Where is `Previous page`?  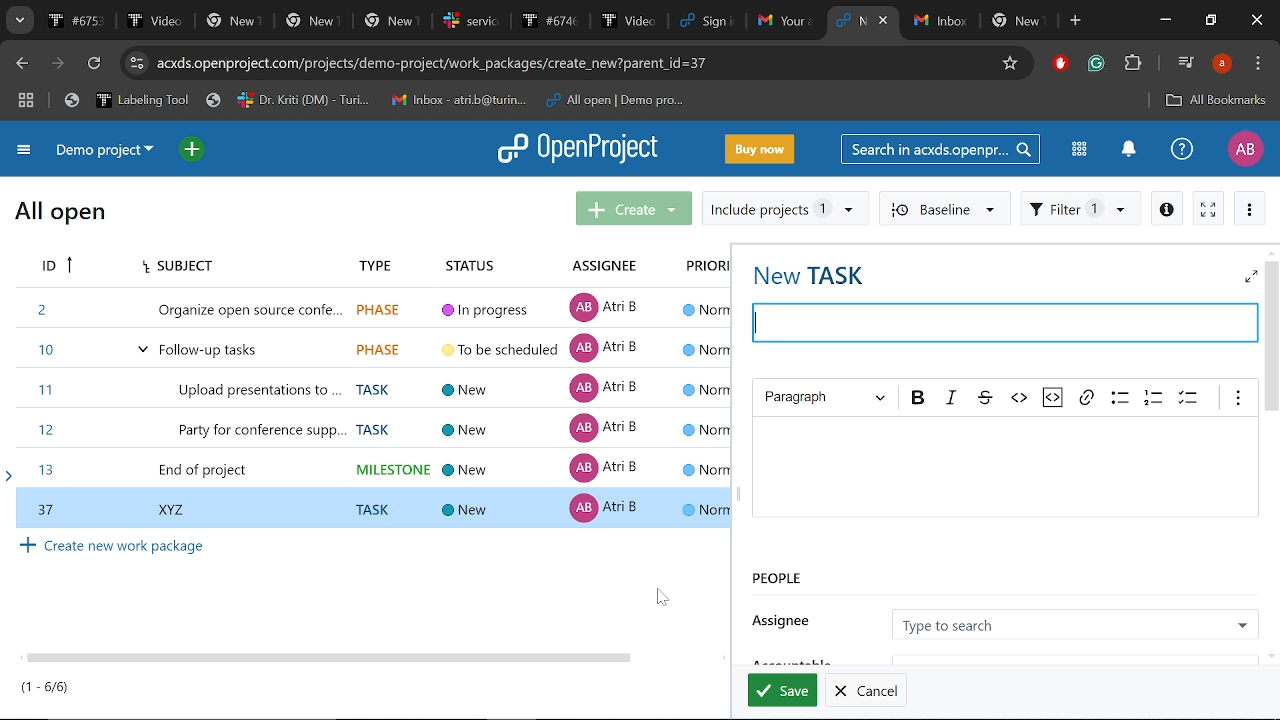 Previous page is located at coordinates (19, 64).